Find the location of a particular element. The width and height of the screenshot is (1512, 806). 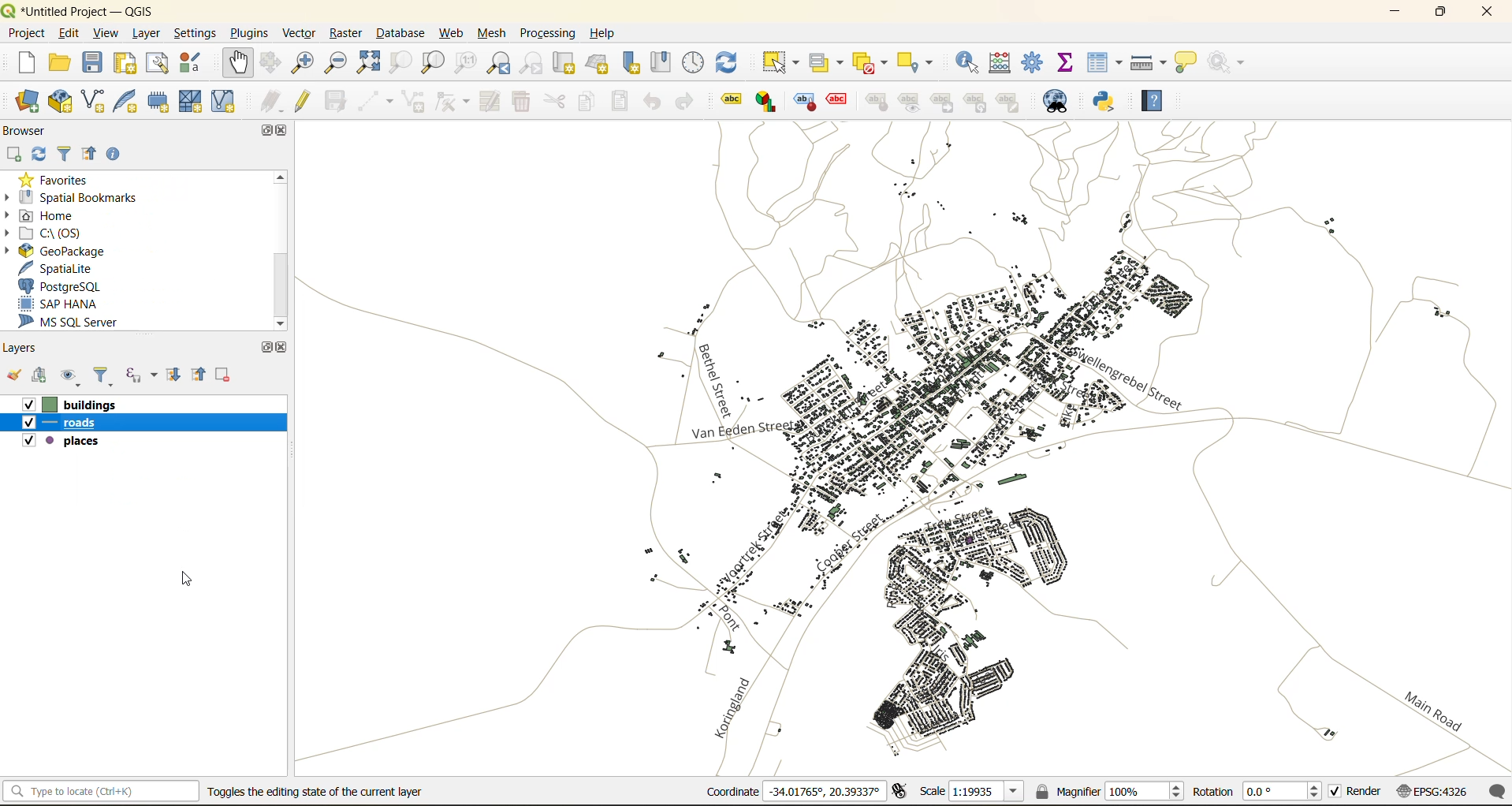

settings is located at coordinates (199, 33).